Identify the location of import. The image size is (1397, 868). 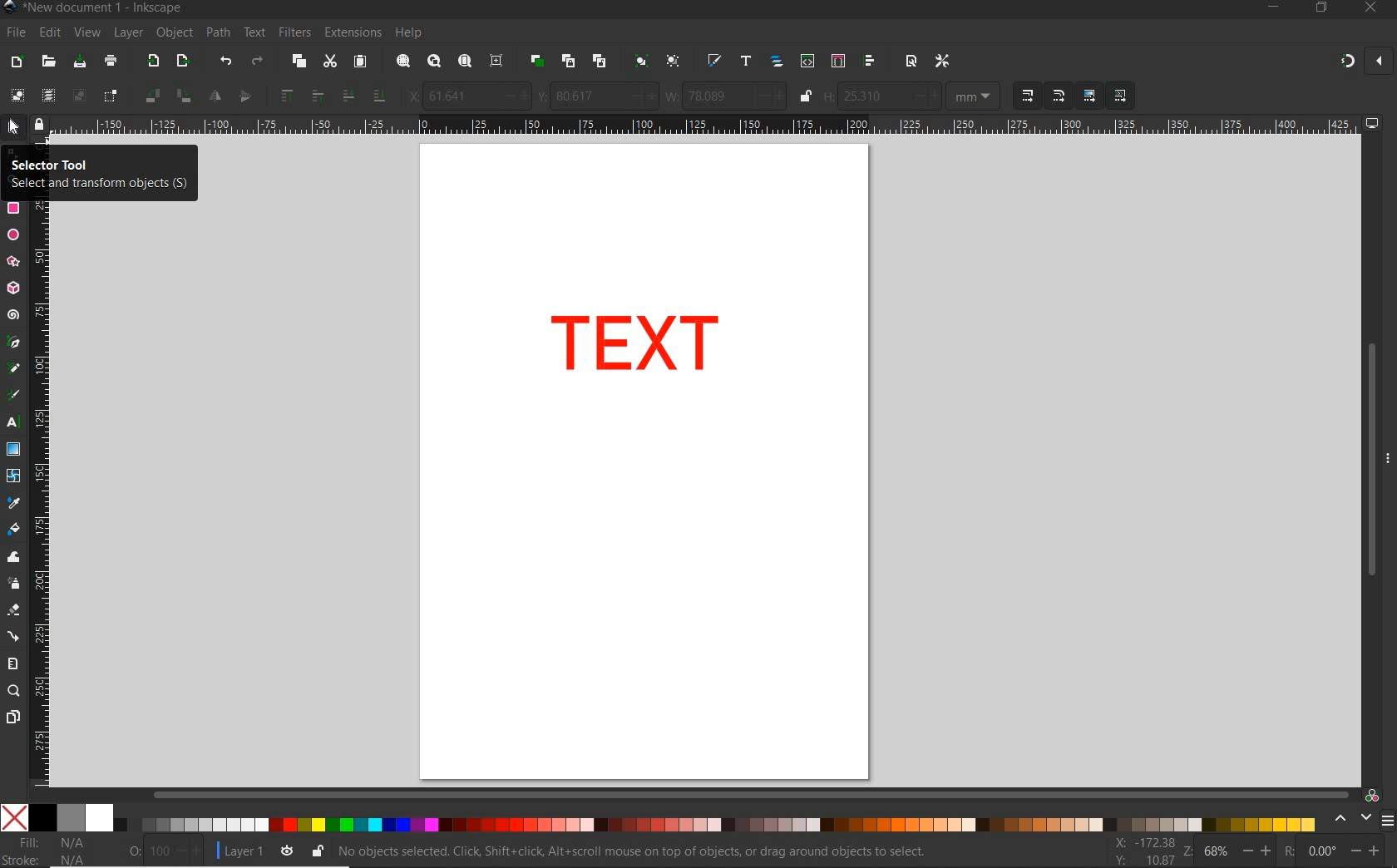
(152, 62).